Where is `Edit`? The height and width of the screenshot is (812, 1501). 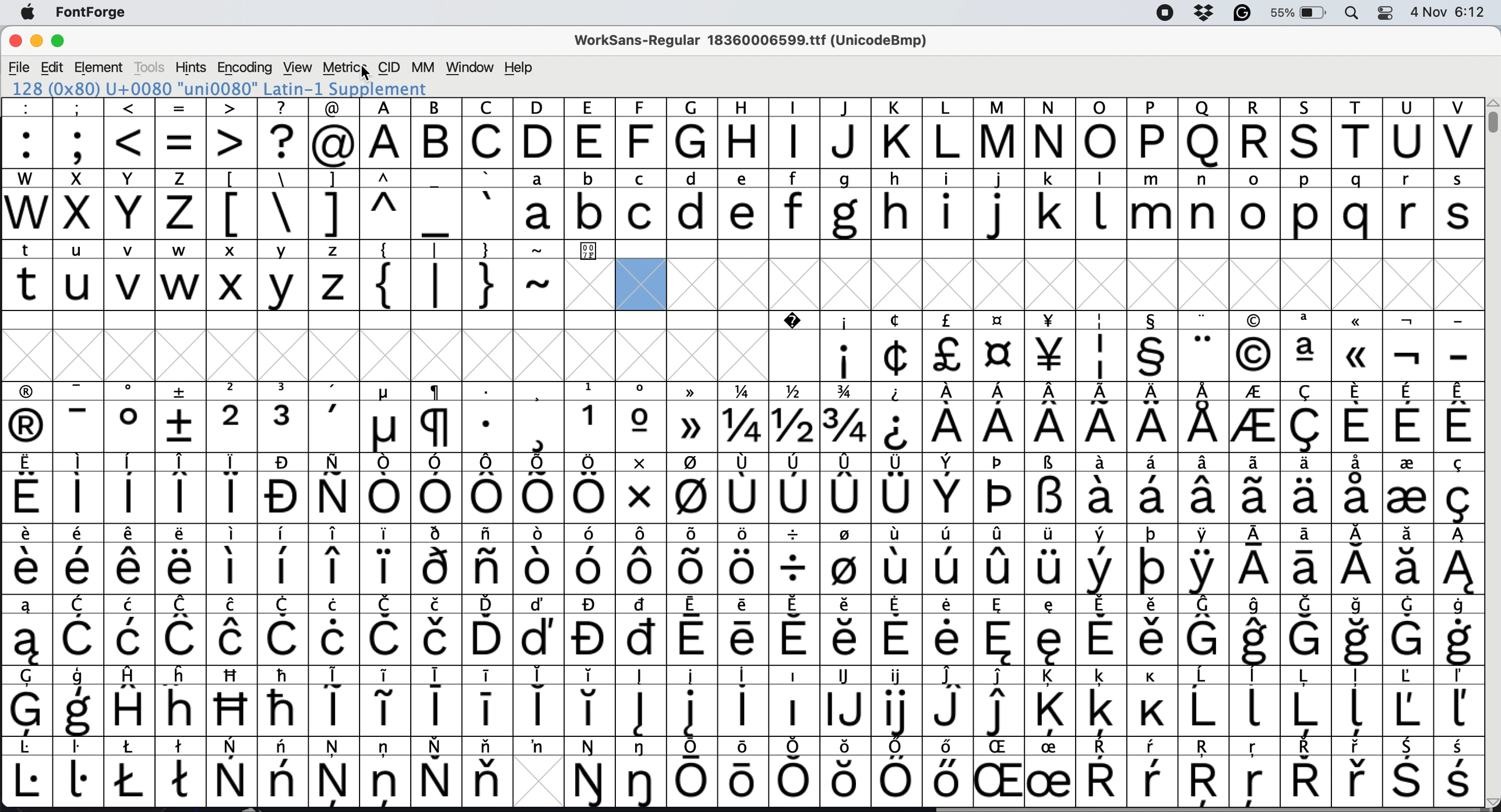 Edit is located at coordinates (55, 68).